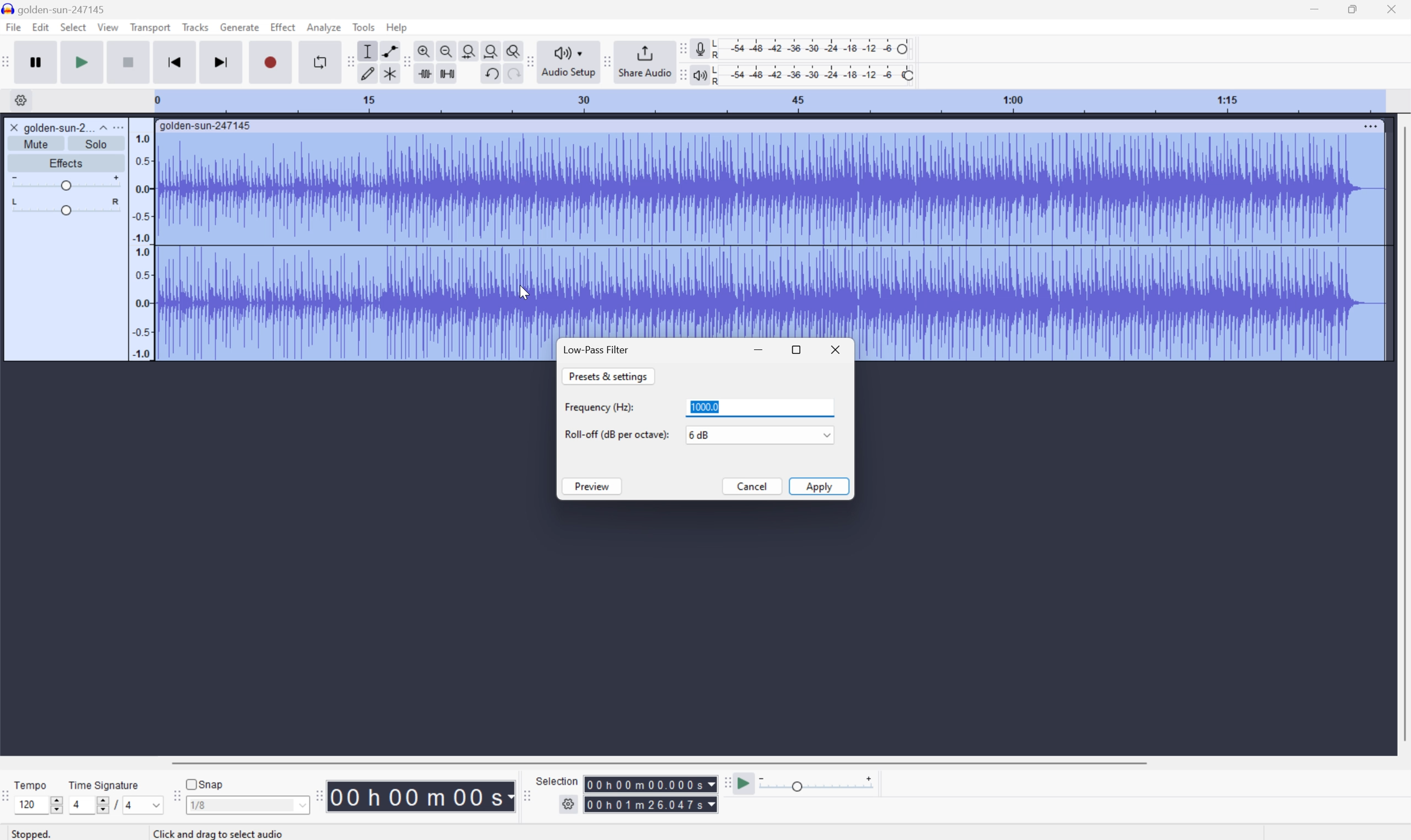 The image size is (1411, 840). What do you see at coordinates (33, 833) in the screenshot?
I see `Stopped` at bounding box center [33, 833].